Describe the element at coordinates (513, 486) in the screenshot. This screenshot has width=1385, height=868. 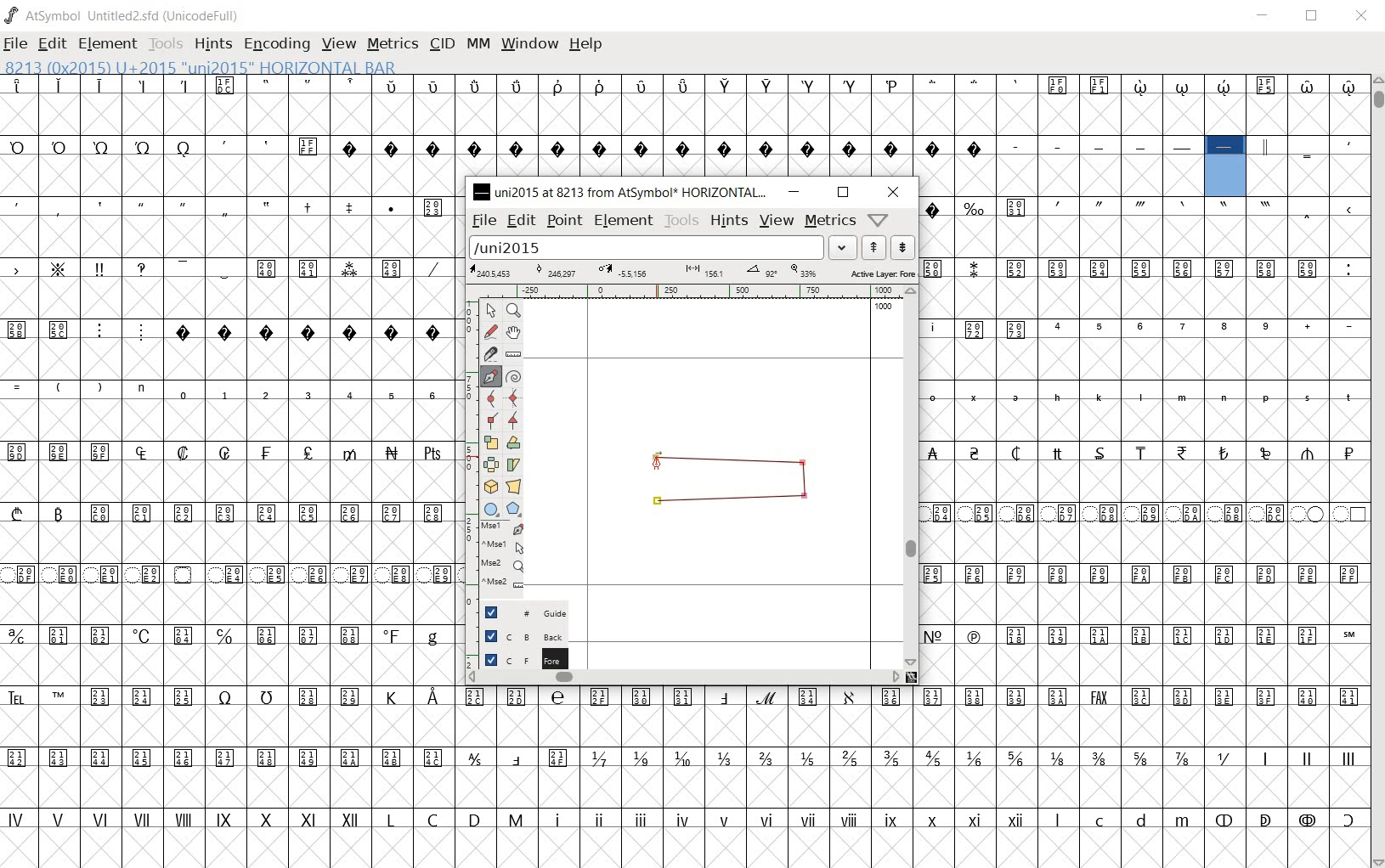
I see `perform a perspective transformation on the selection` at that location.